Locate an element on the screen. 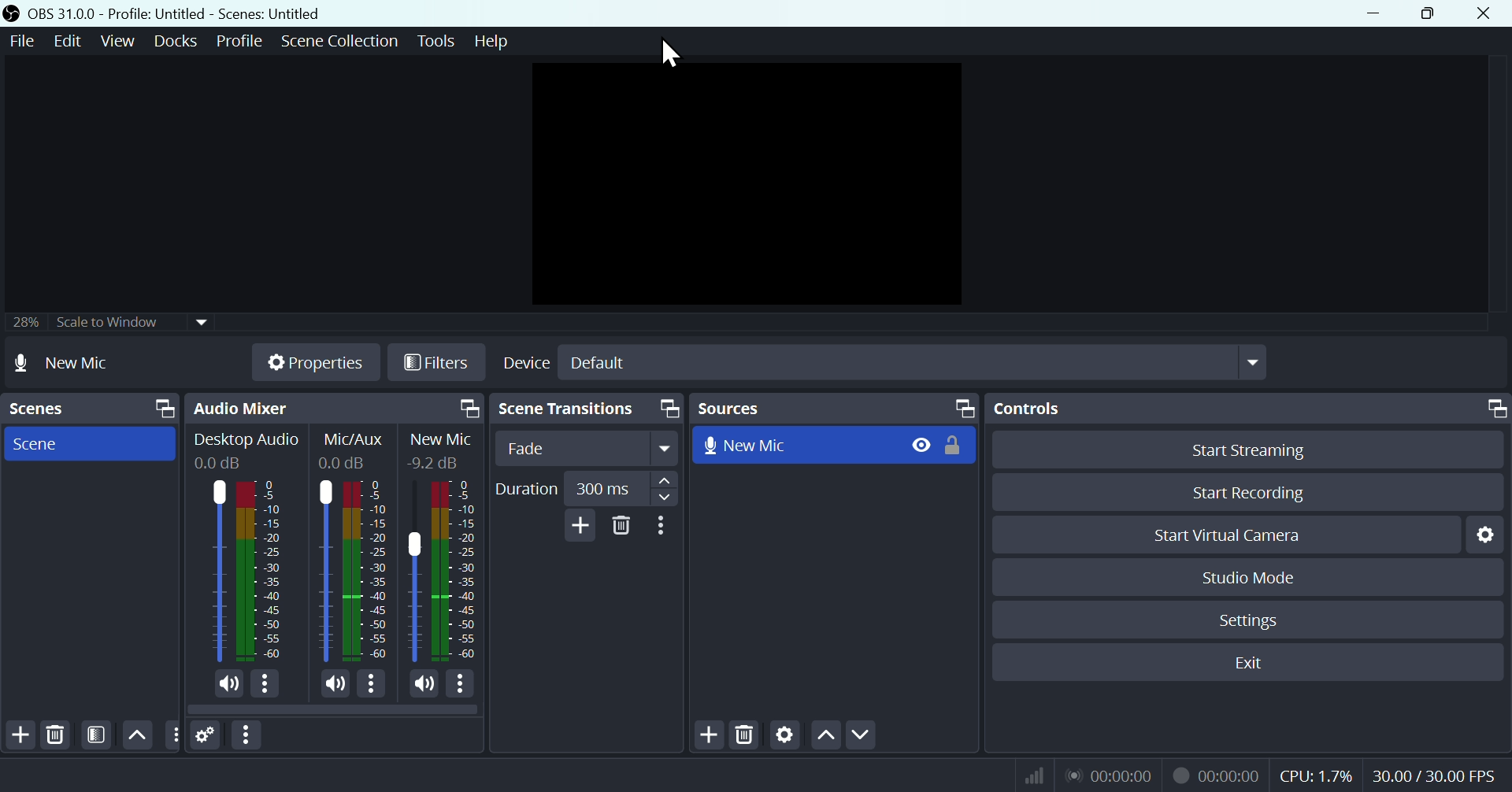 The image size is (1512, 792). Desktop Audio is located at coordinates (215, 571).